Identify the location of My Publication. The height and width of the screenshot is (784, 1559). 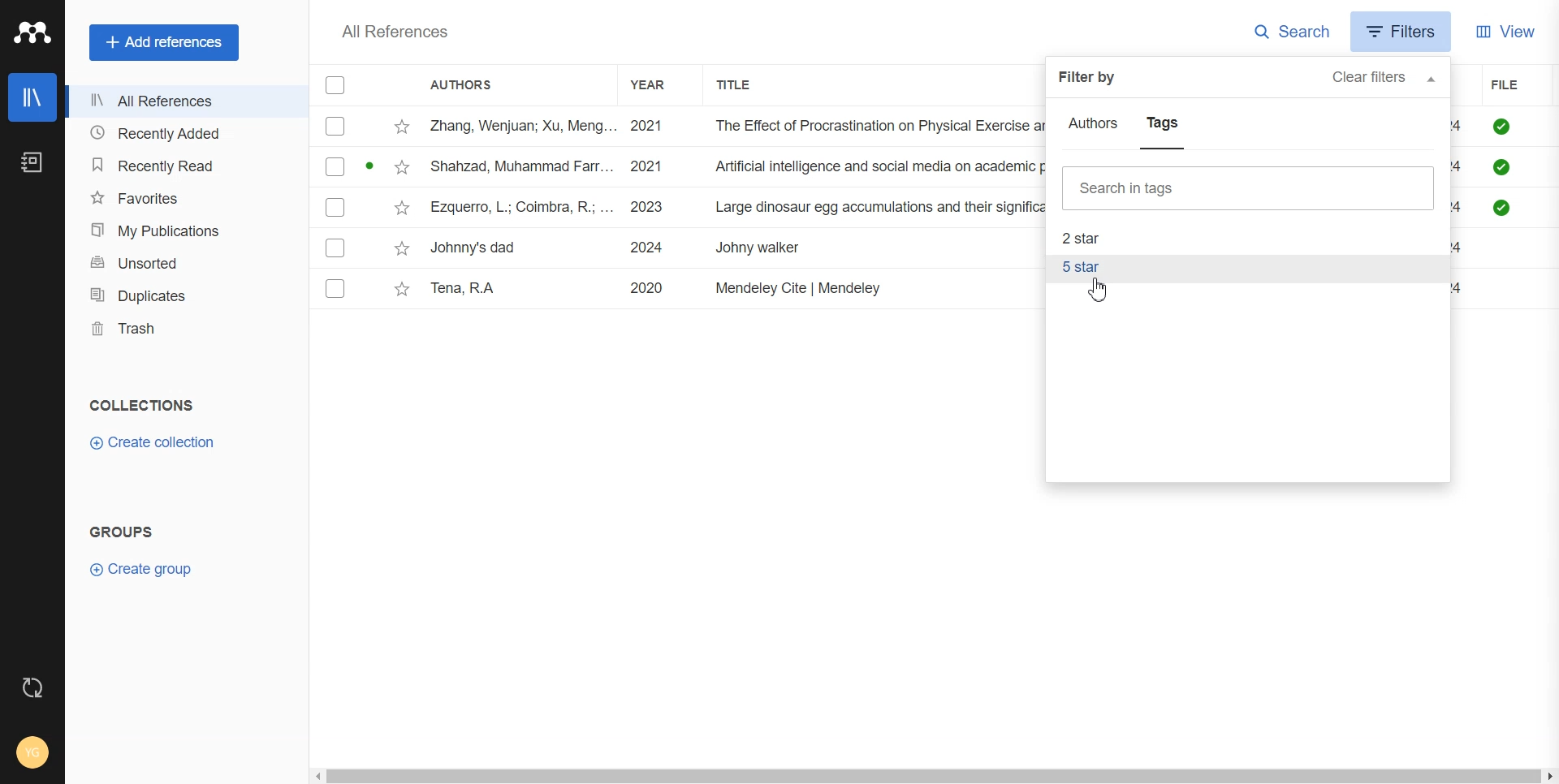
(184, 227).